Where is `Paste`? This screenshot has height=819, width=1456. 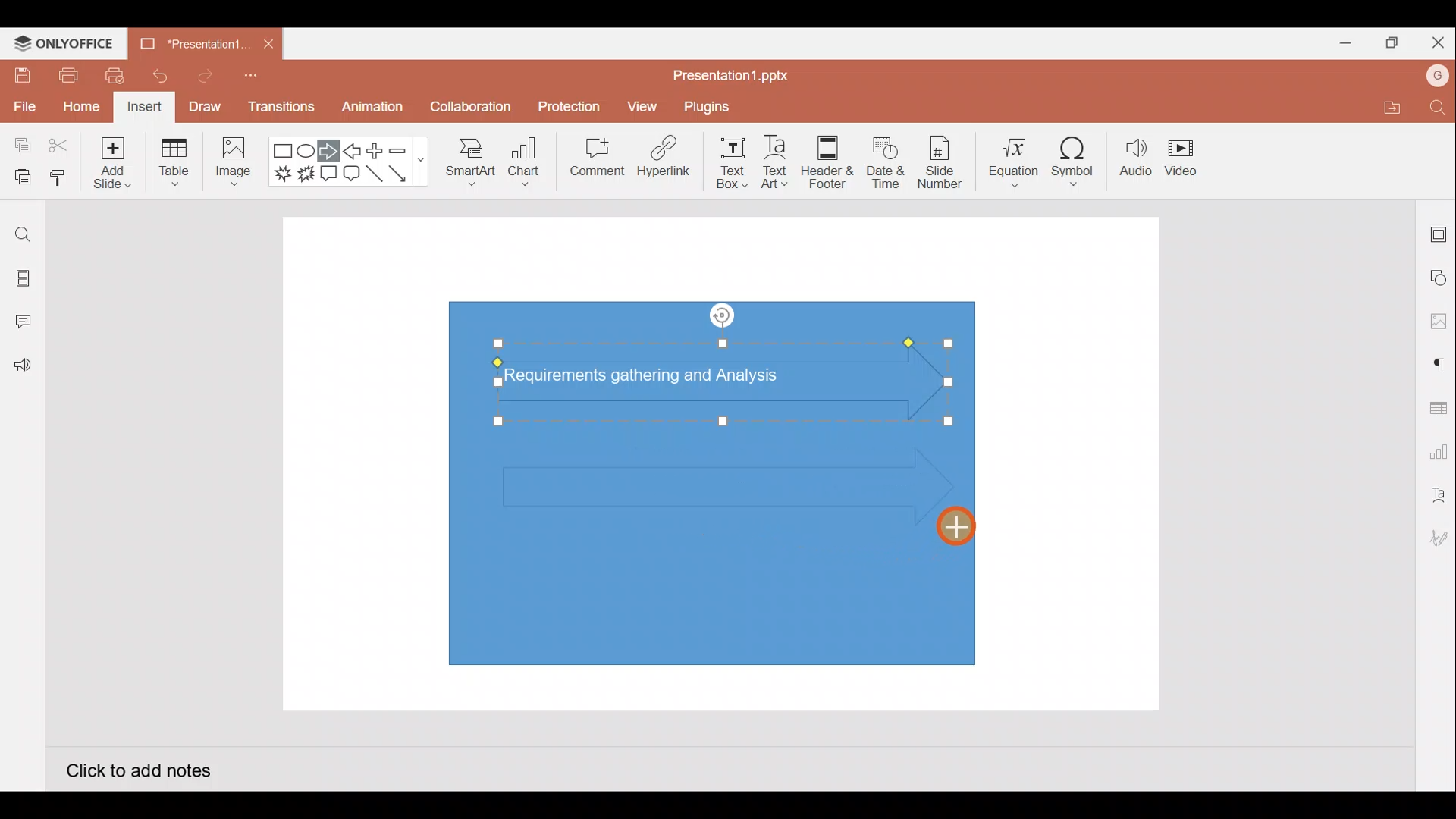
Paste is located at coordinates (19, 178).